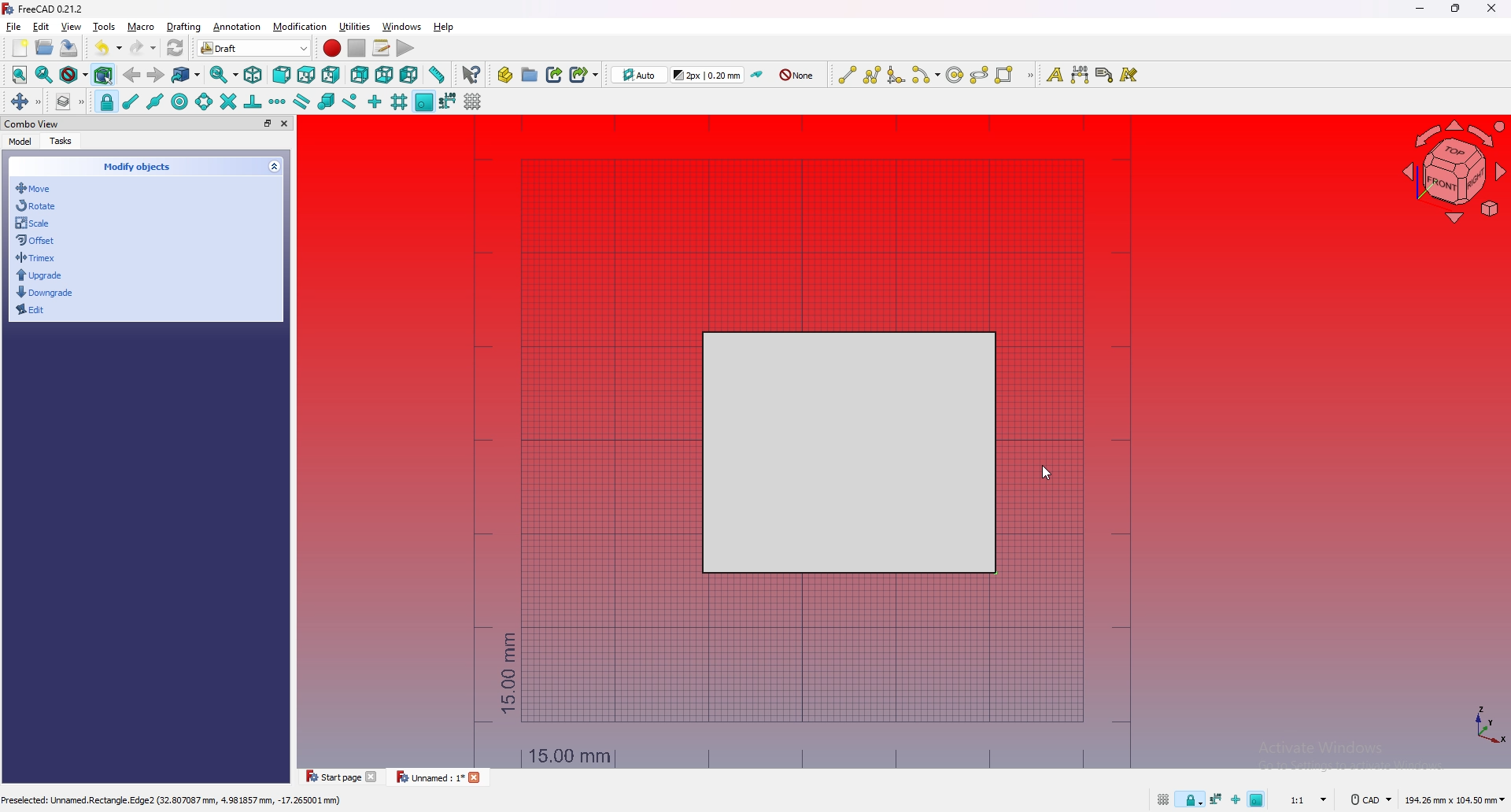 This screenshot has height=812, width=1511. Describe the element at coordinates (355, 26) in the screenshot. I see `utilities` at that location.